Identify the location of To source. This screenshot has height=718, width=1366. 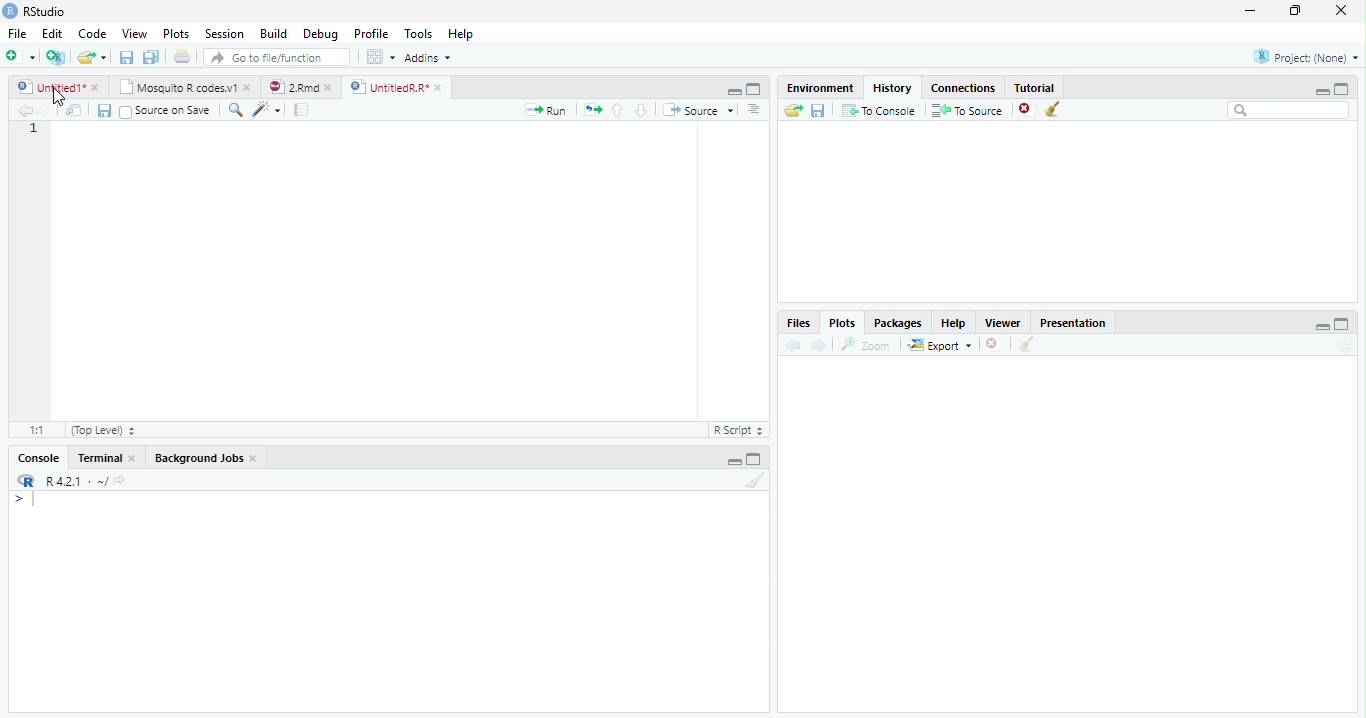
(970, 112).